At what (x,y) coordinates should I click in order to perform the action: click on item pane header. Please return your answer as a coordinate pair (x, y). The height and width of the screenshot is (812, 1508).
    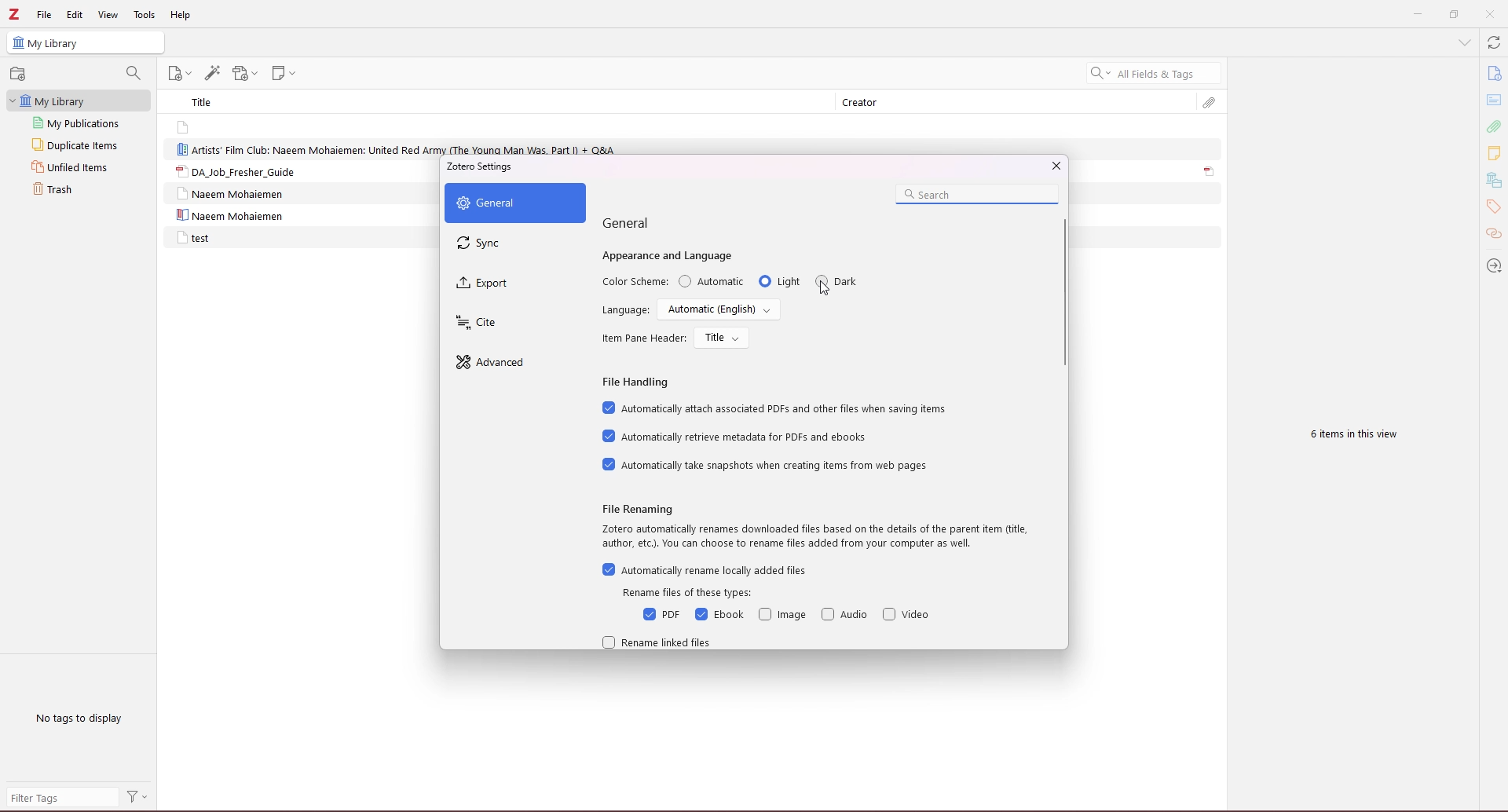
    Looking at the image, I should click on (643, 338).